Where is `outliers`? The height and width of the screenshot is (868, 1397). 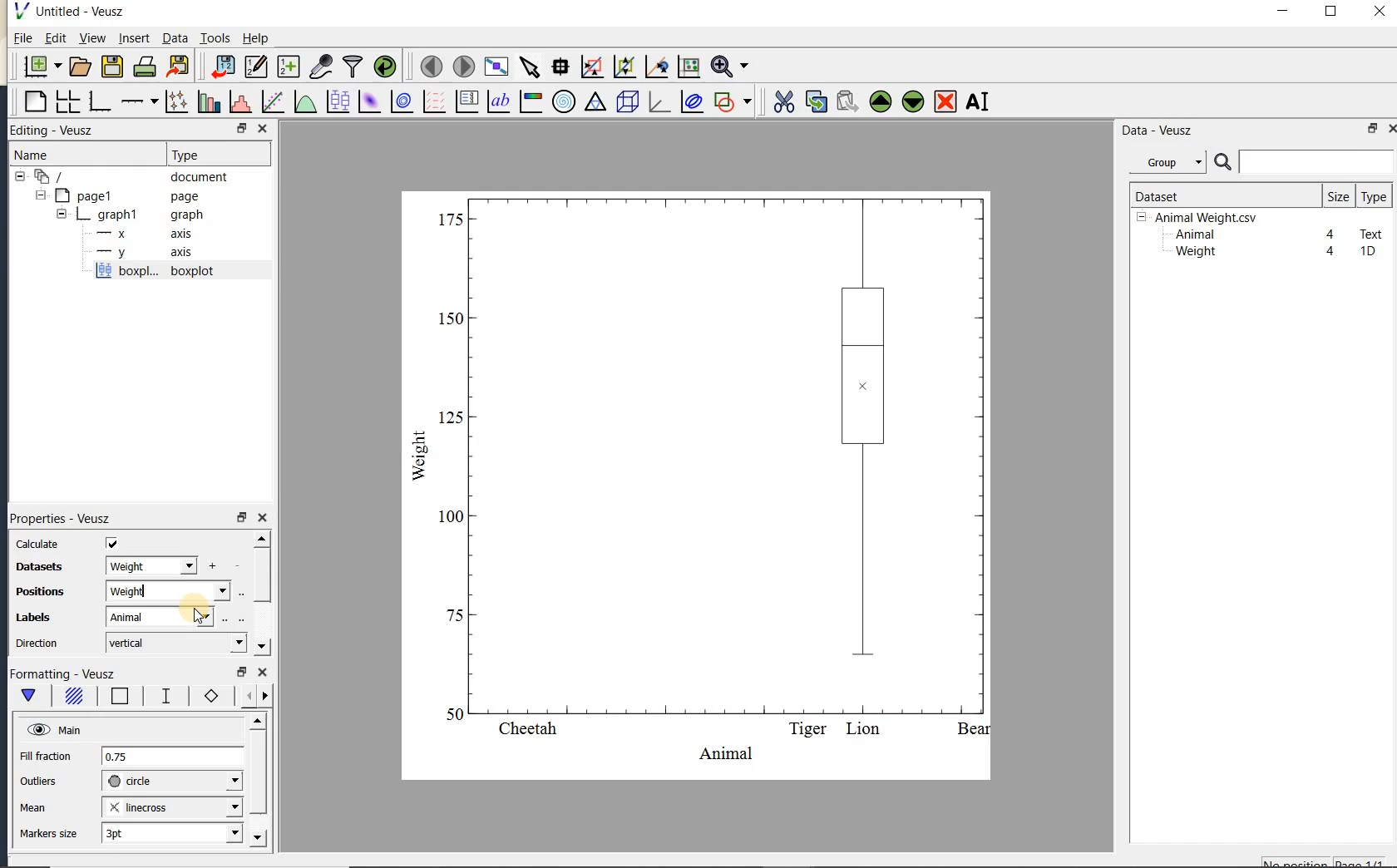 outliers is located at coordinates (39, 782).